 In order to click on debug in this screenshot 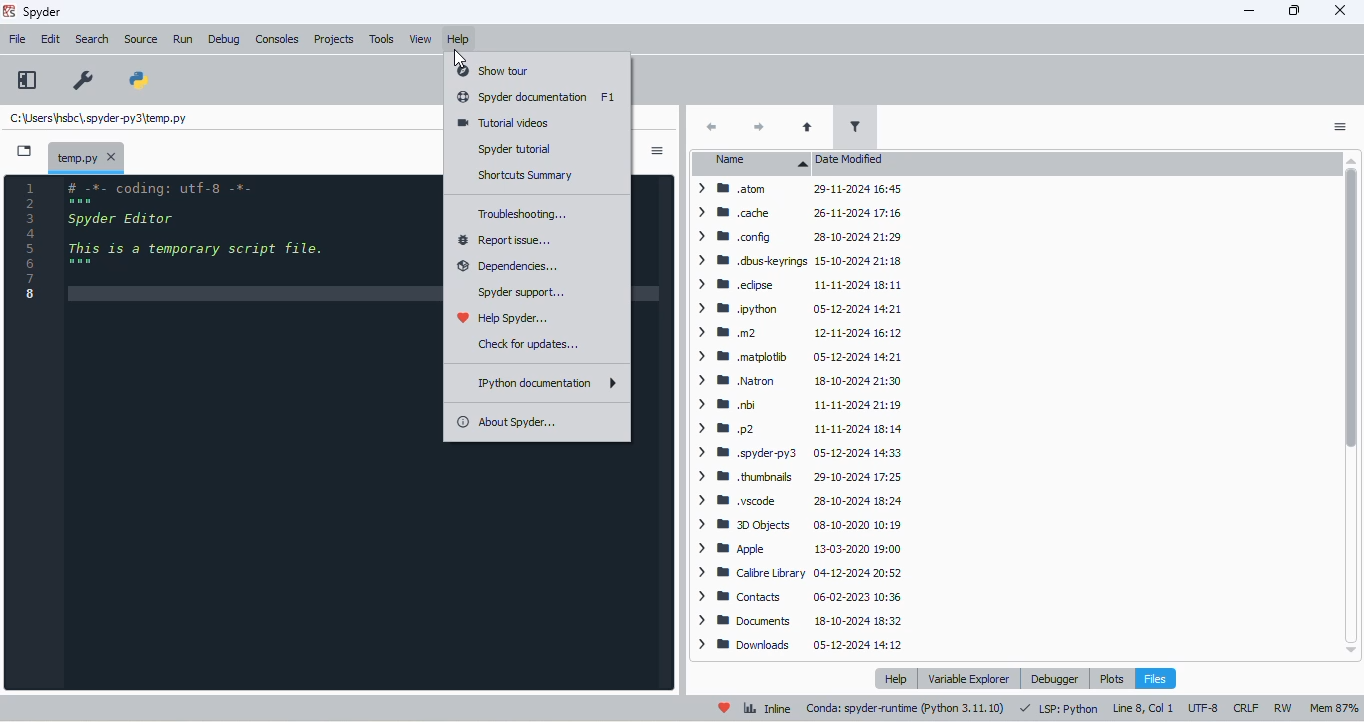, I will do `click(223, 39)`.